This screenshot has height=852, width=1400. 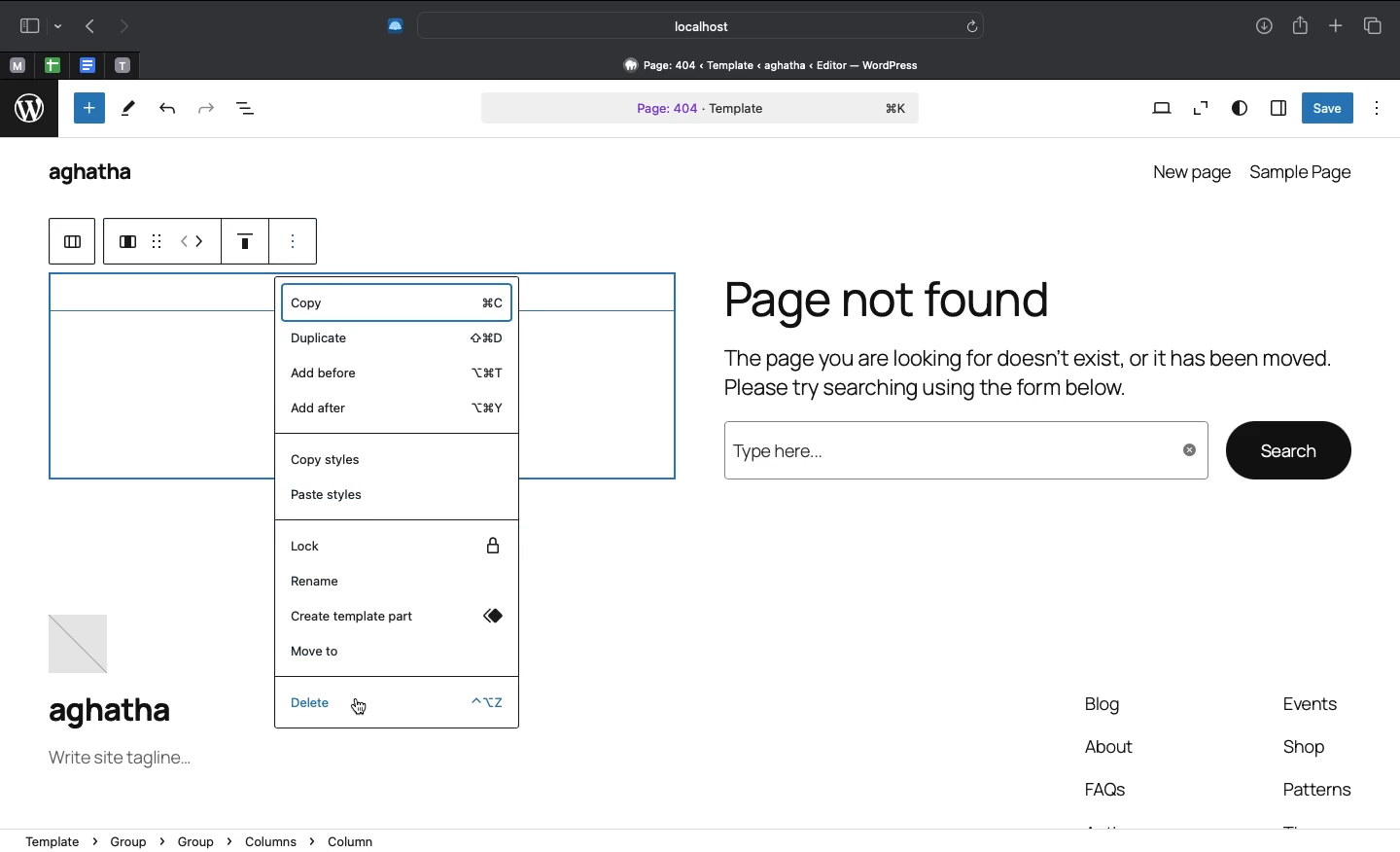 I want to click on rename, so click(x=399, y=582).